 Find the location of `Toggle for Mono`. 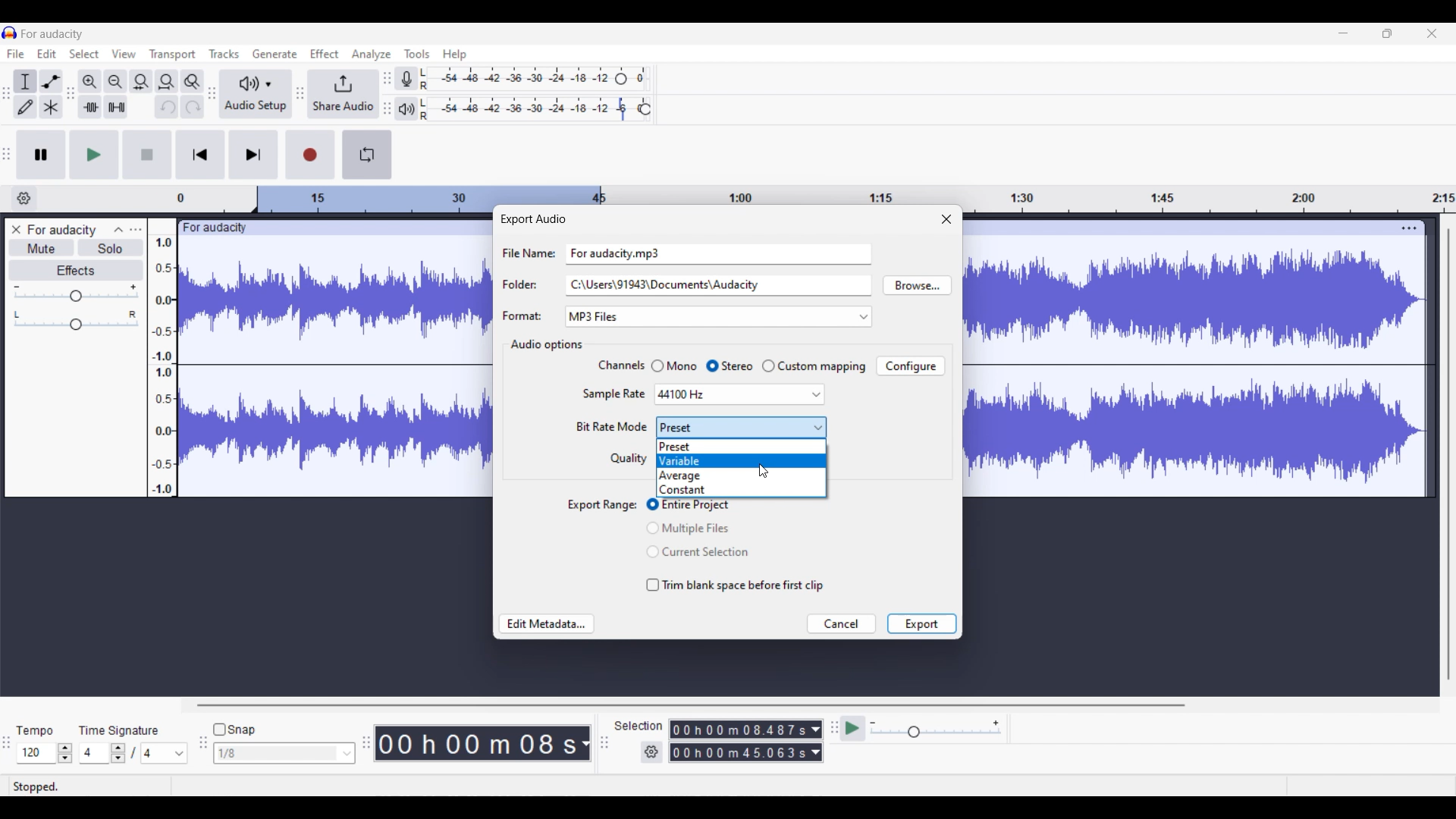

Toggle for Mono is located at coordinates (673, 366).